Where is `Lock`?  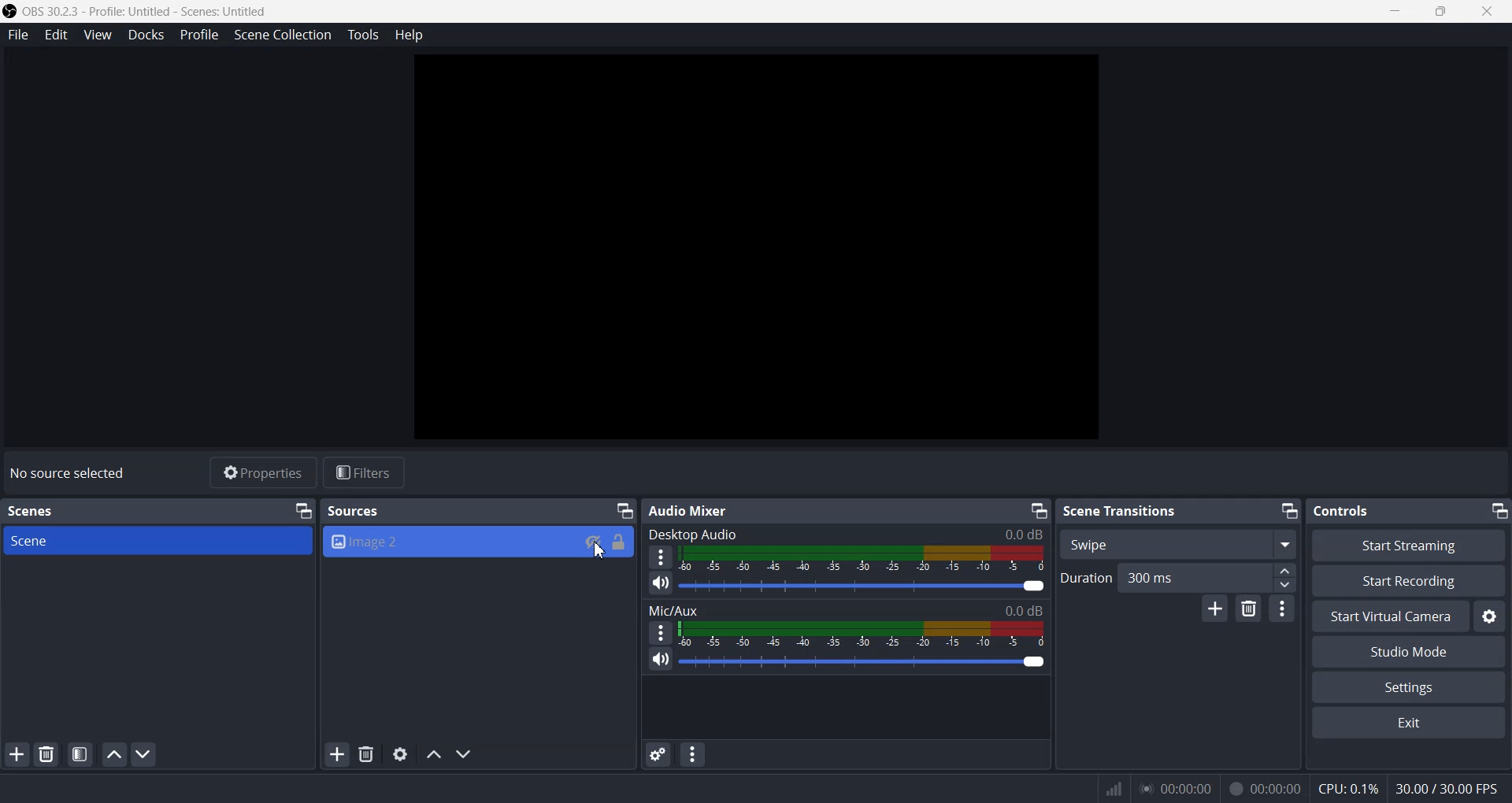
Lock is located at coordinates (619, 541).